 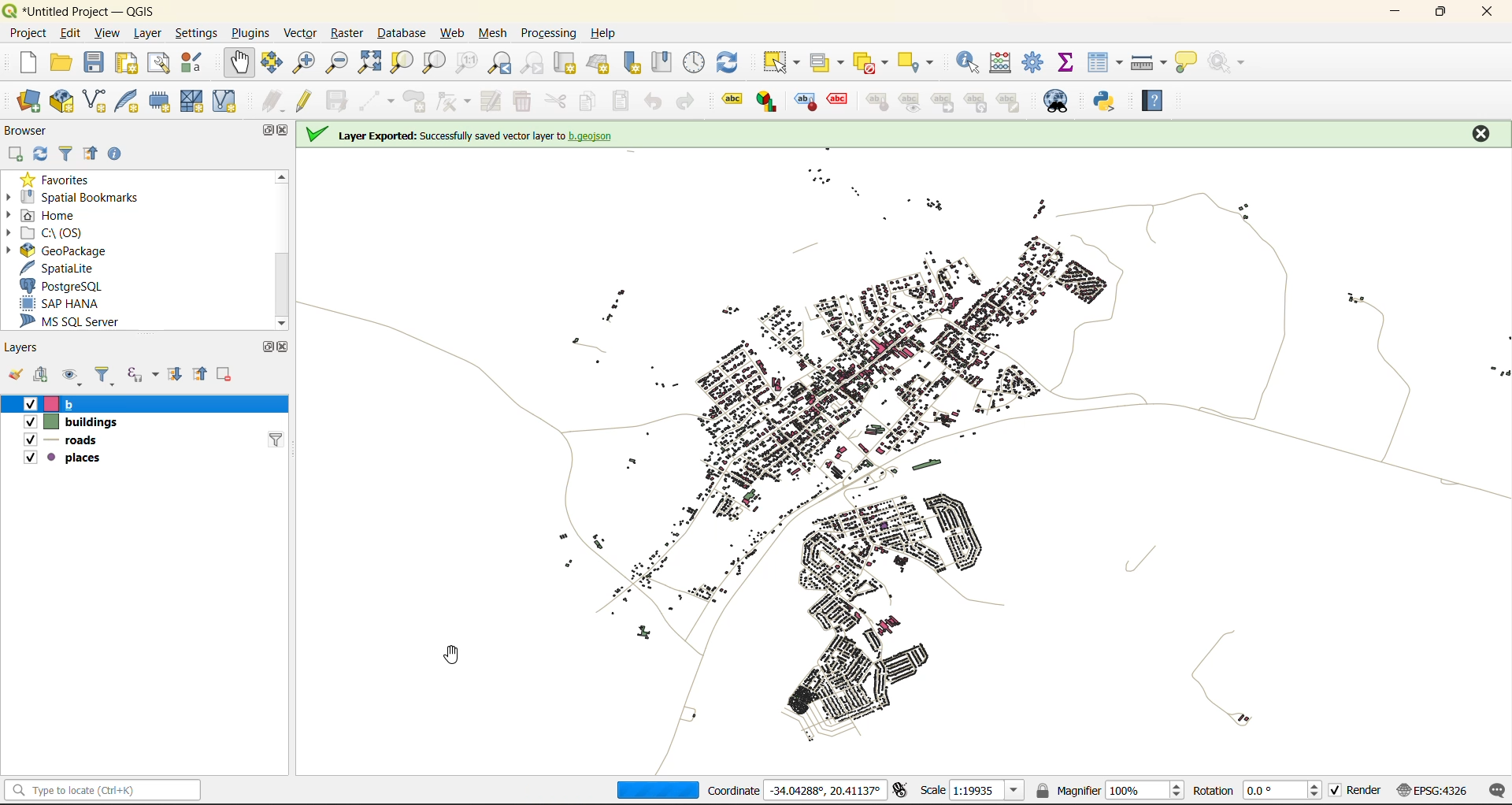 What do you see at coordinates (488, 100) in the screenshot?
I see `modify` at bounding box center [488, 100].